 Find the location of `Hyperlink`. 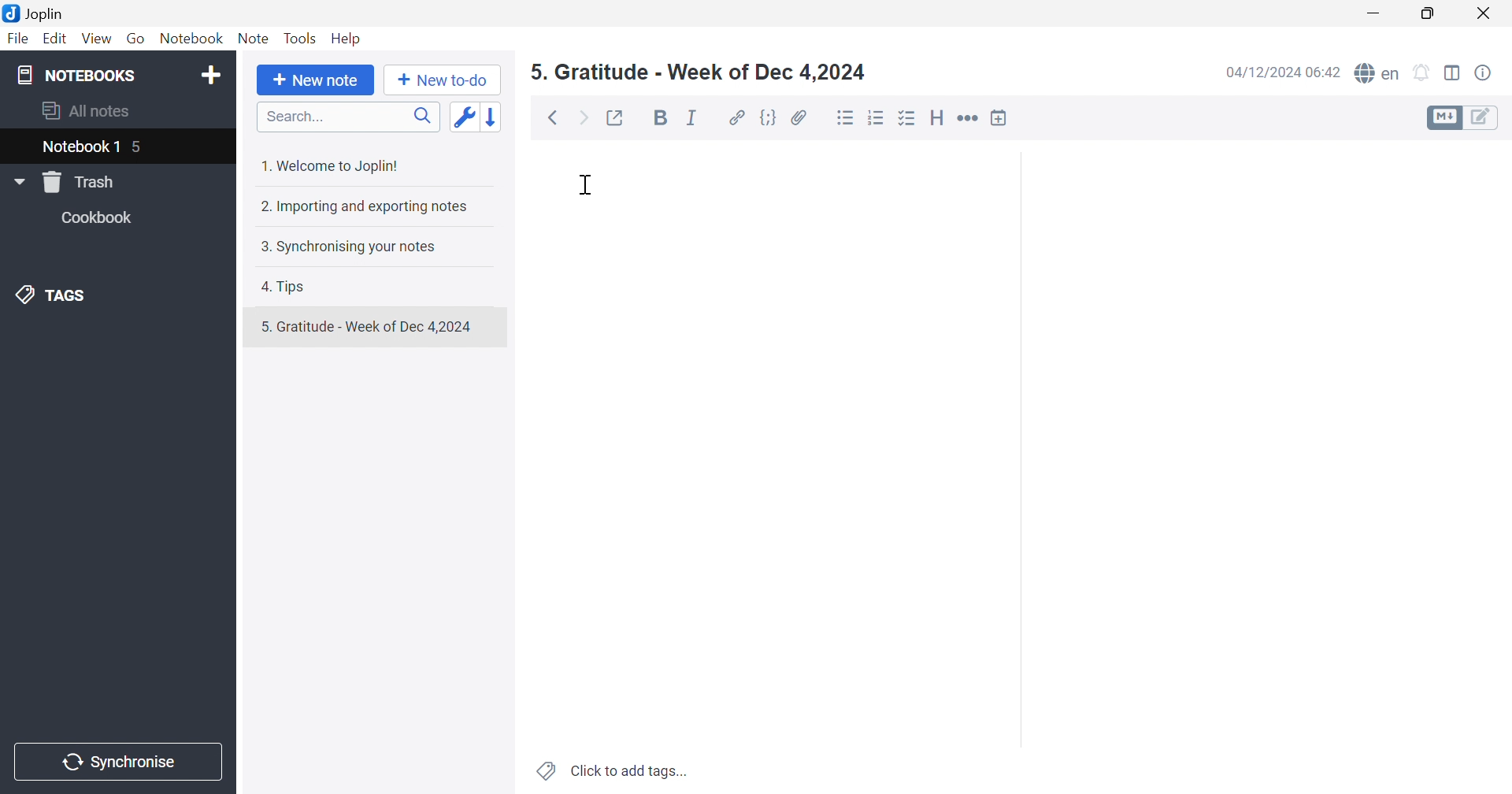

Hyperlink is located at coordinates (736, 117).